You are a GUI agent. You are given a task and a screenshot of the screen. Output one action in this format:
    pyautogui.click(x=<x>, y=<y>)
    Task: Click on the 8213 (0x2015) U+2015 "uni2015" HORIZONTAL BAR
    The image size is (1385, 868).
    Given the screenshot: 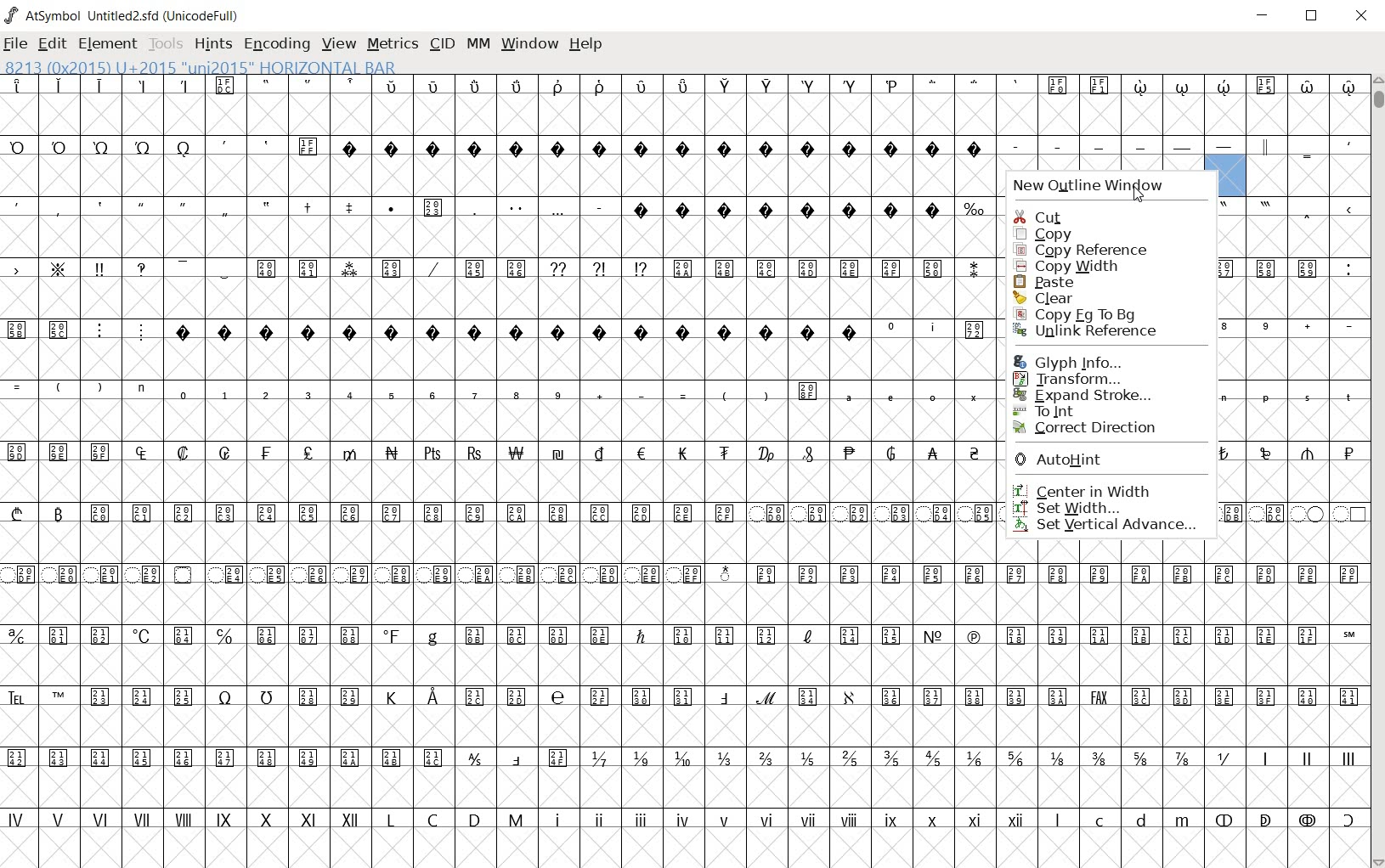 What is the action you would take?
    pyautogui.click(x=199, y=67)
    